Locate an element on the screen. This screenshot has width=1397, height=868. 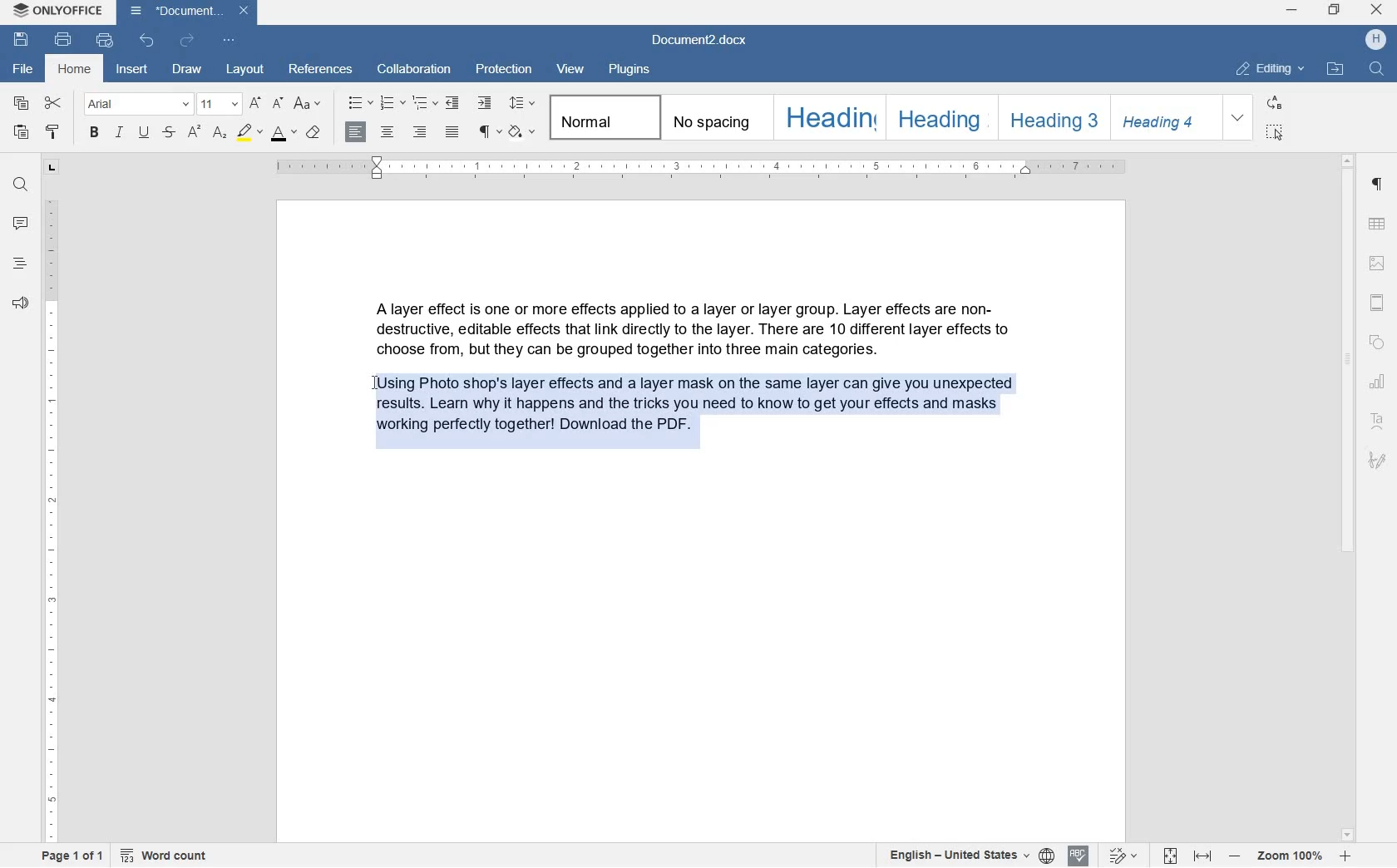
PAGE 1 OF 1 is located at coordinates (72, 856).